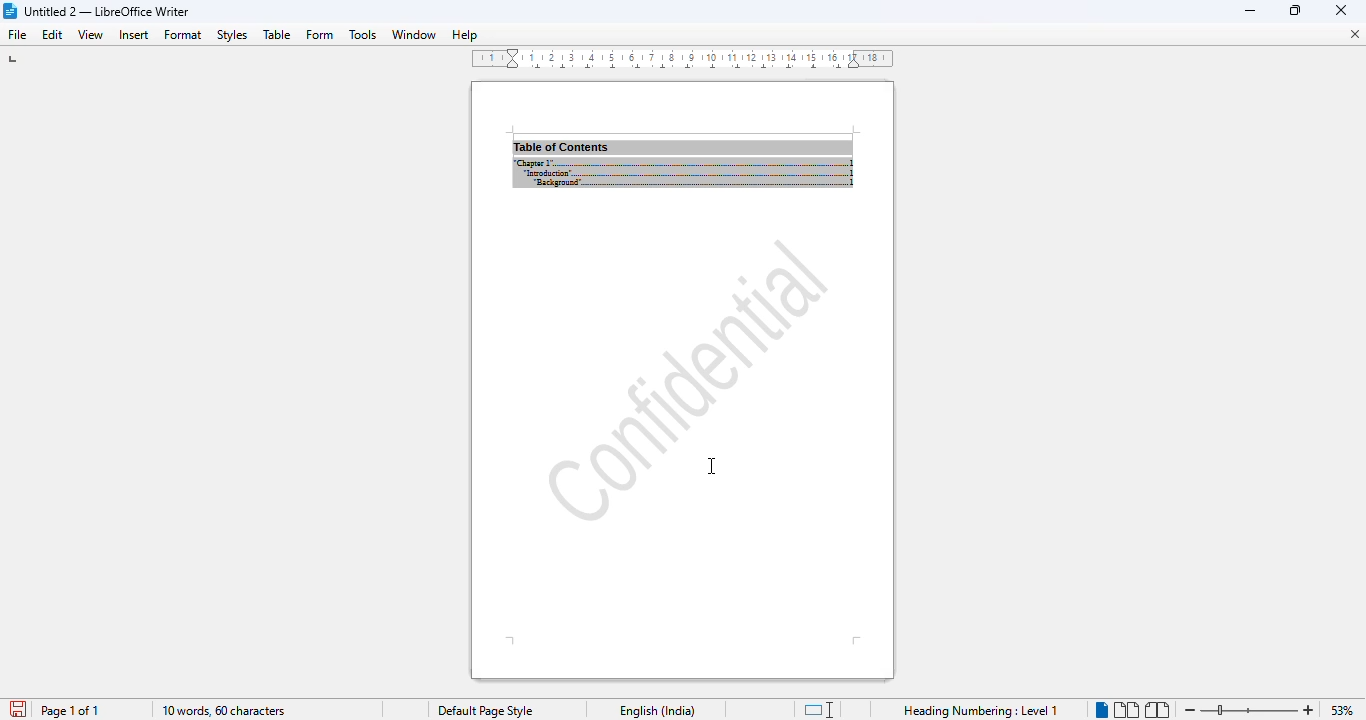 The width and height of the screenshot is (1366, 720). I want to click on form, so click(319, 35).